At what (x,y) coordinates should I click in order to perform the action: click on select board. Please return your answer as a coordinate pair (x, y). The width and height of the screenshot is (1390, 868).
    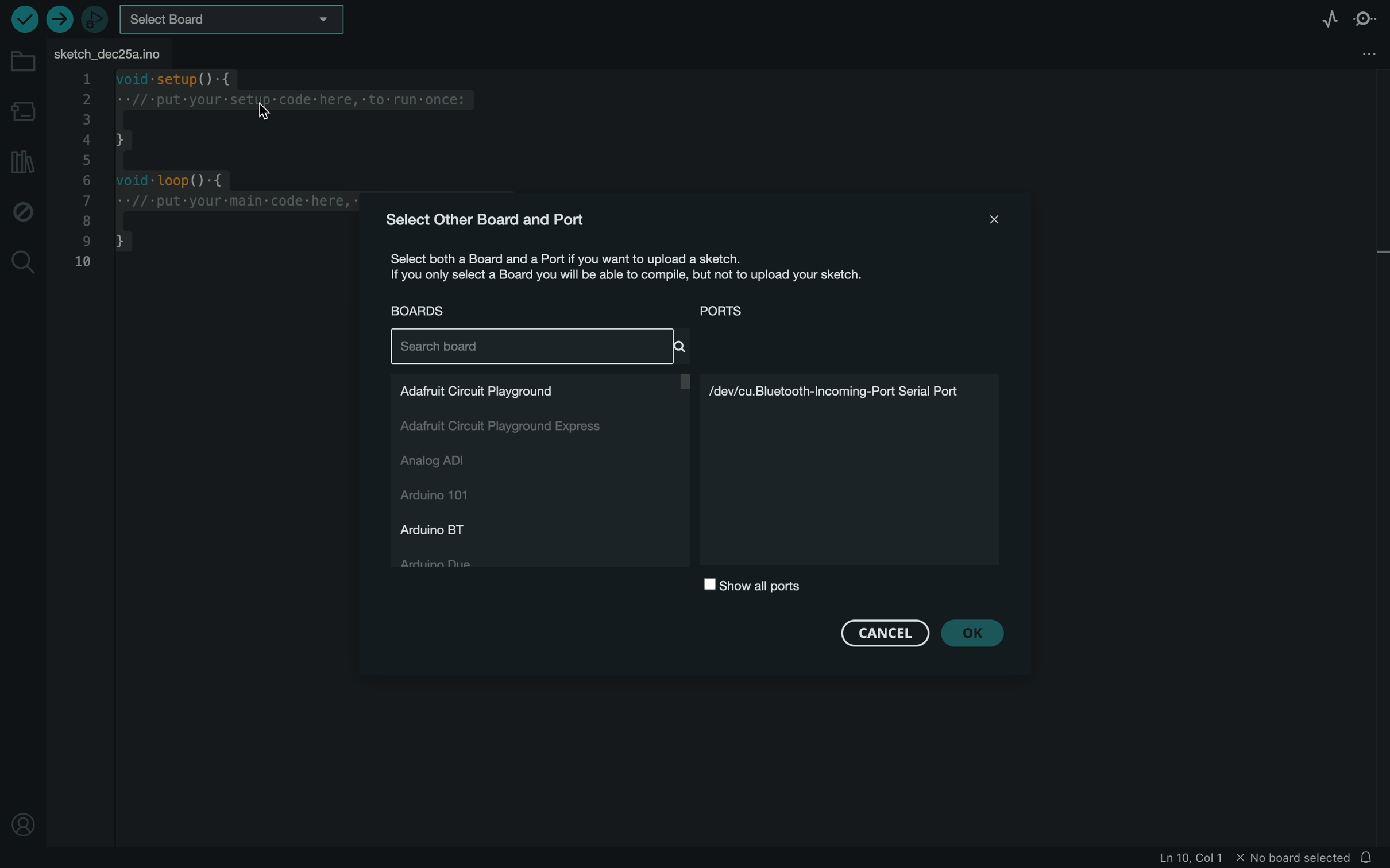
    Looking at the image, I should click on (233, 19).